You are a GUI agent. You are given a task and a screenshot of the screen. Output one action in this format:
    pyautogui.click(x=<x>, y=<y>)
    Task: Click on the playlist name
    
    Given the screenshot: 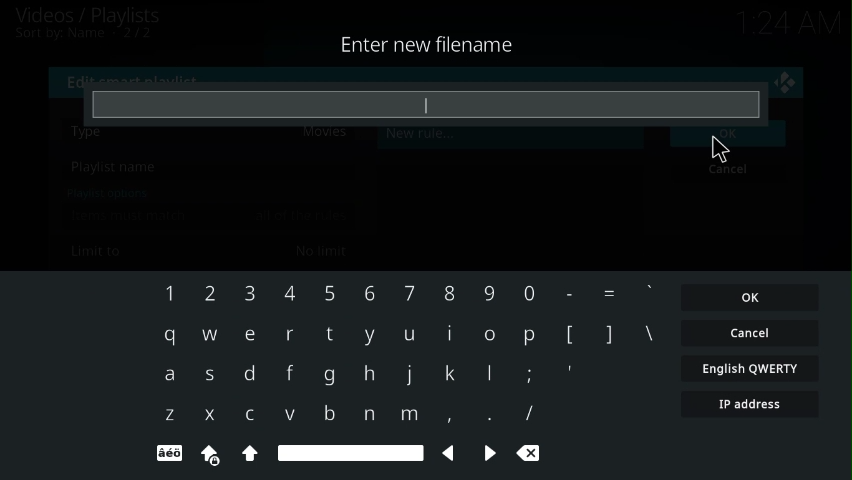 What is the action you would take?
    pyautogui.click(x=115, y=168)
    